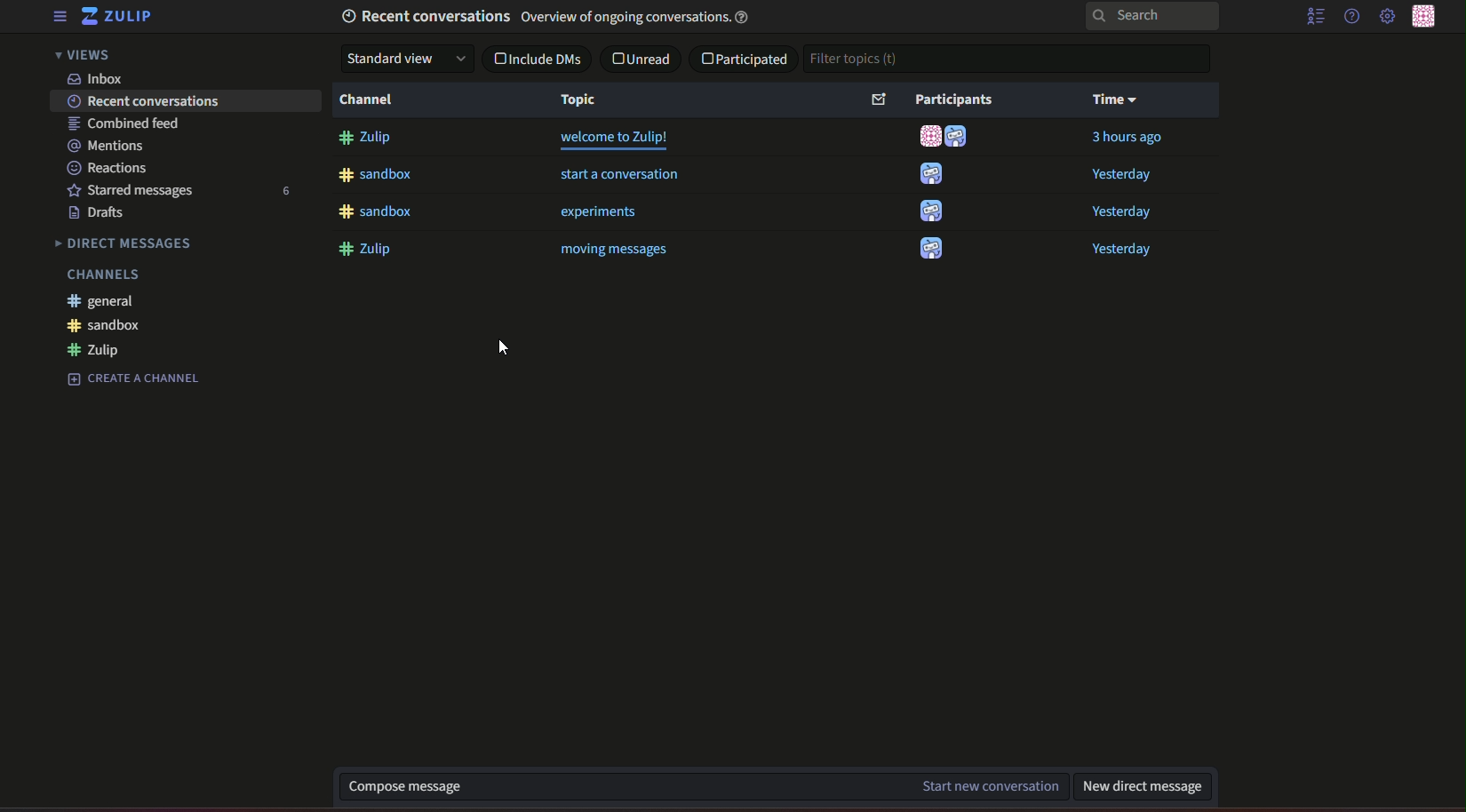 The width and height of the screenshot is (1466, 812). What do you see at coordinates (368, 139) in the screenshot?
I see `#zulip` at bounding box center [368, 139].